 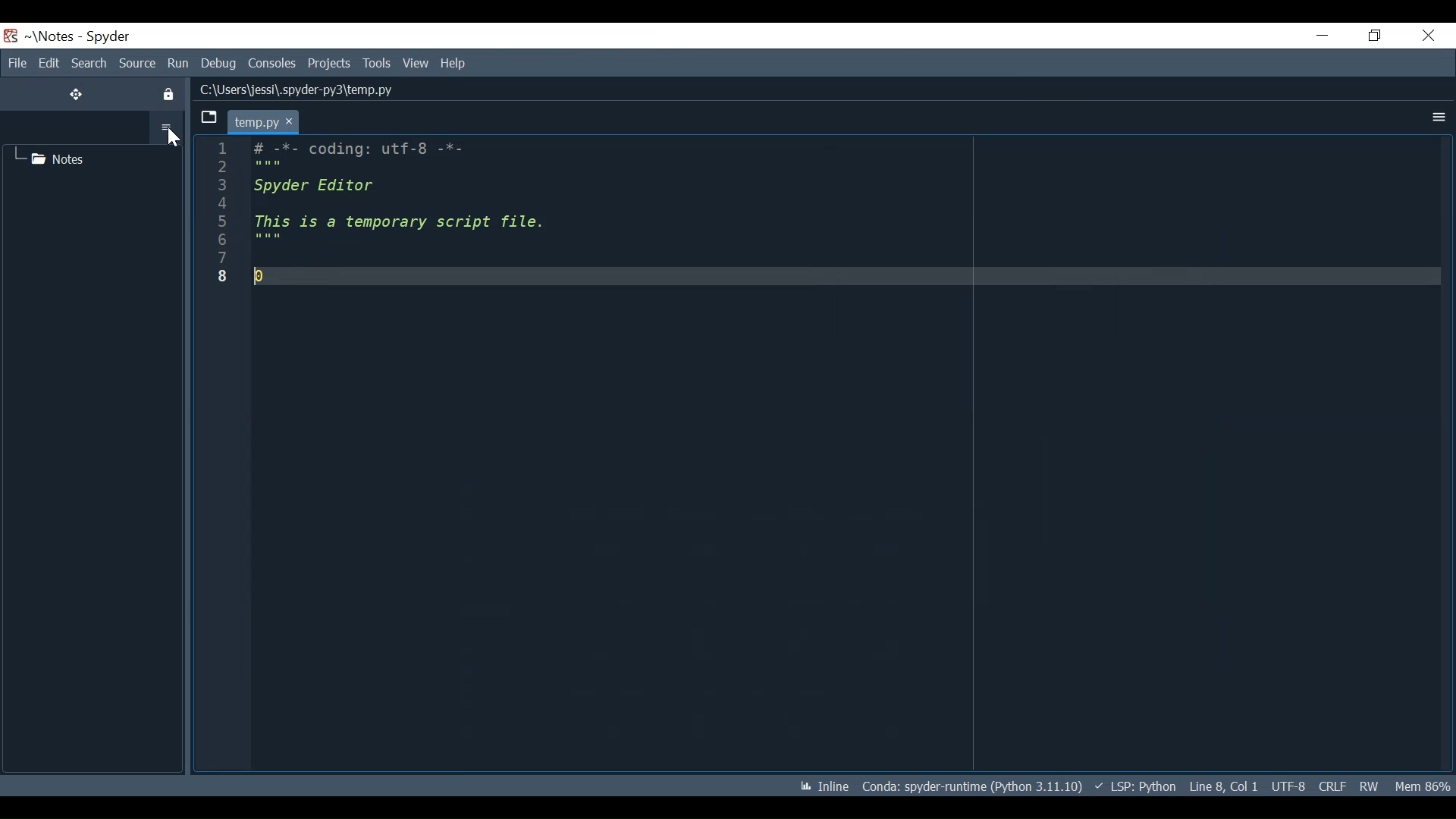 What do you see at coordinates (974, 789) in the screenshot?
I see `Coda: spyder-runtime (Python 3.11.10)` at bounding box center [974, 789].